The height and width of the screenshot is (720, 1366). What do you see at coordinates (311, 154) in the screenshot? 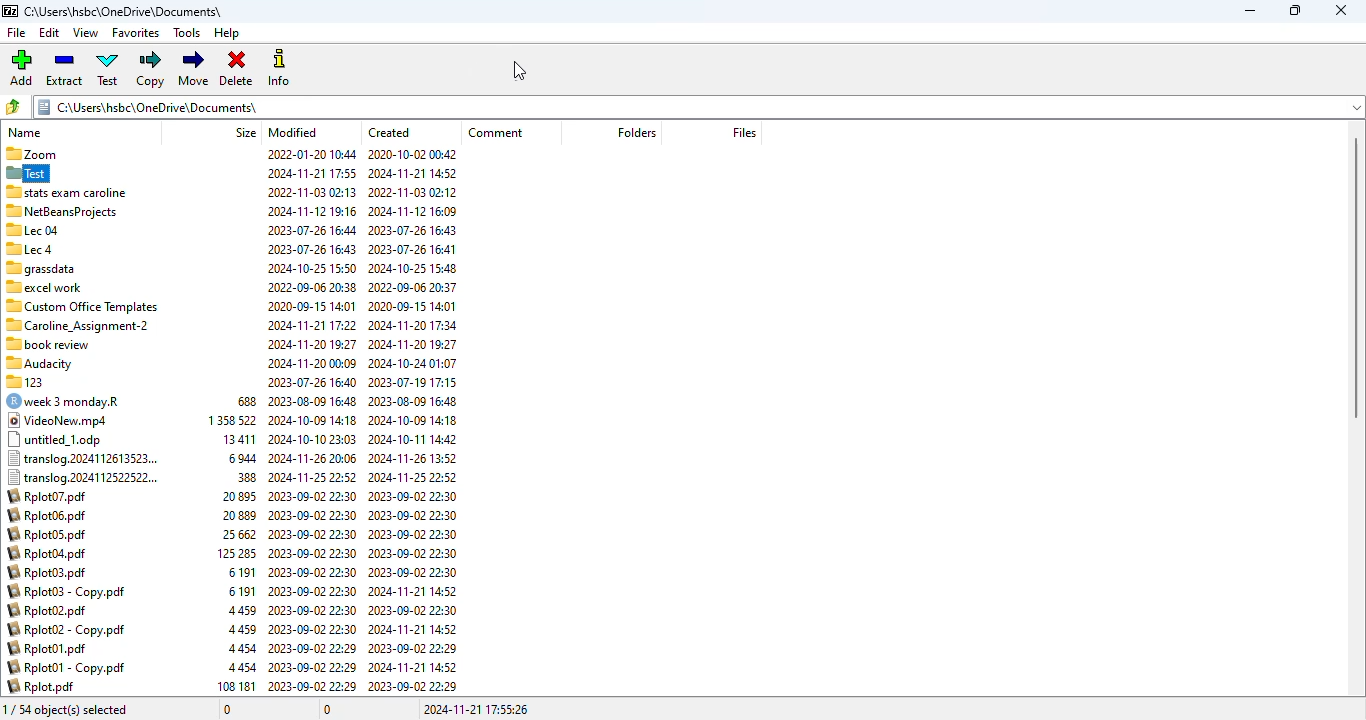
I see `2022-01-20 10:44` at bounding box center [311, 154].